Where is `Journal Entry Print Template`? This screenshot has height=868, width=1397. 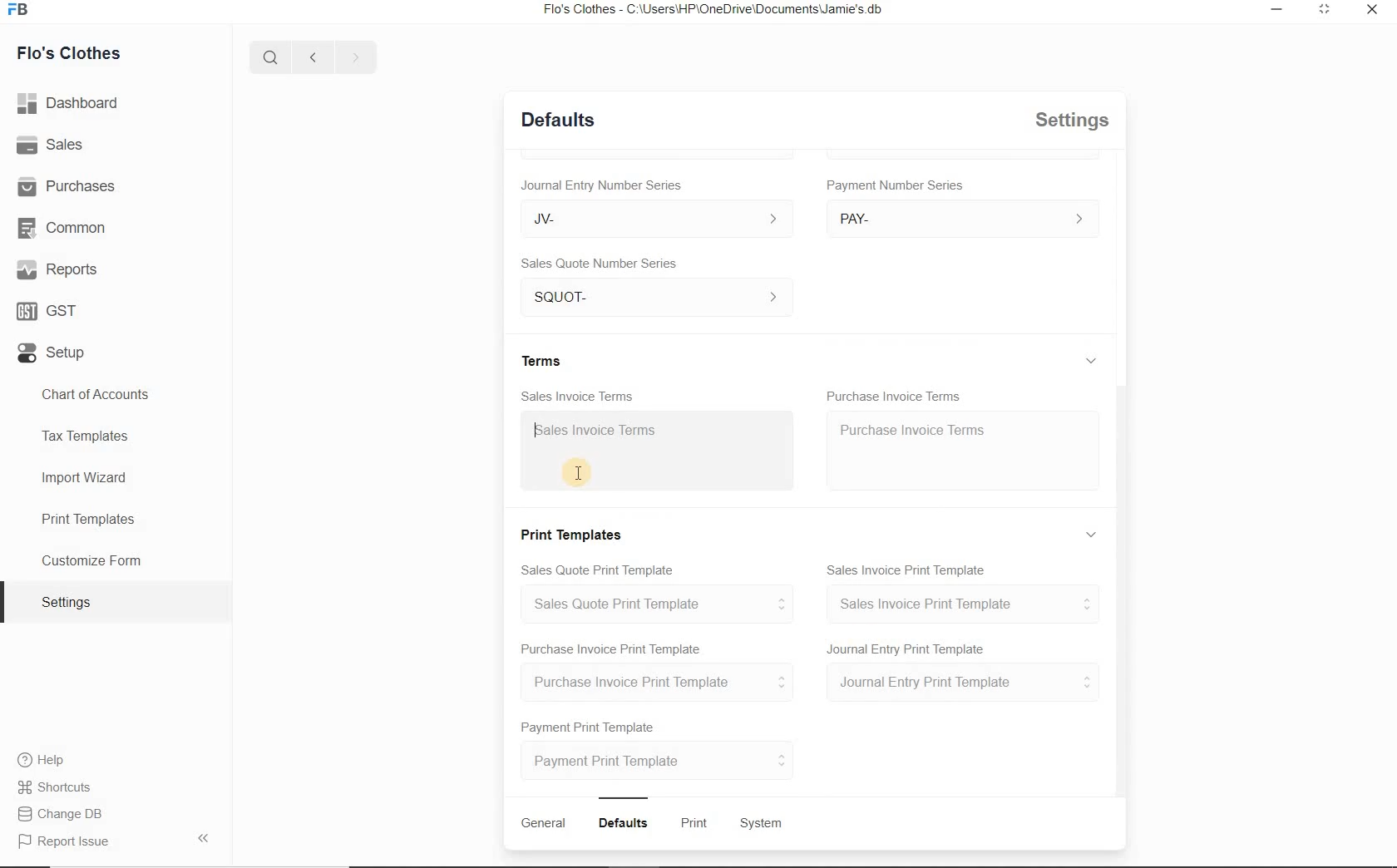
Journal Entry Print Template is located at coordinates (905, 648).